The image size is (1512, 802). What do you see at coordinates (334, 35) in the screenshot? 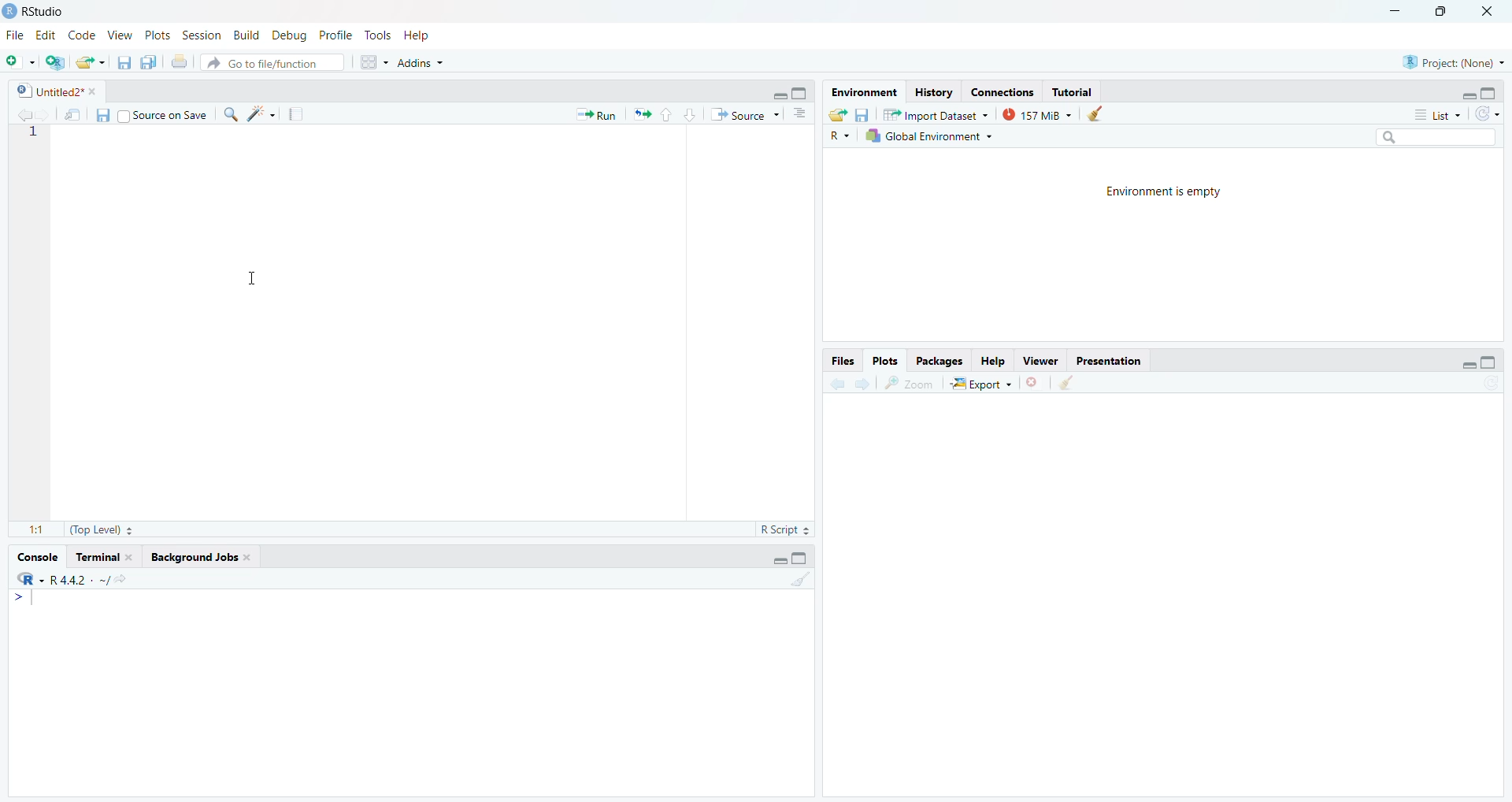
I see `Profile` at bounding box center [334, 35].